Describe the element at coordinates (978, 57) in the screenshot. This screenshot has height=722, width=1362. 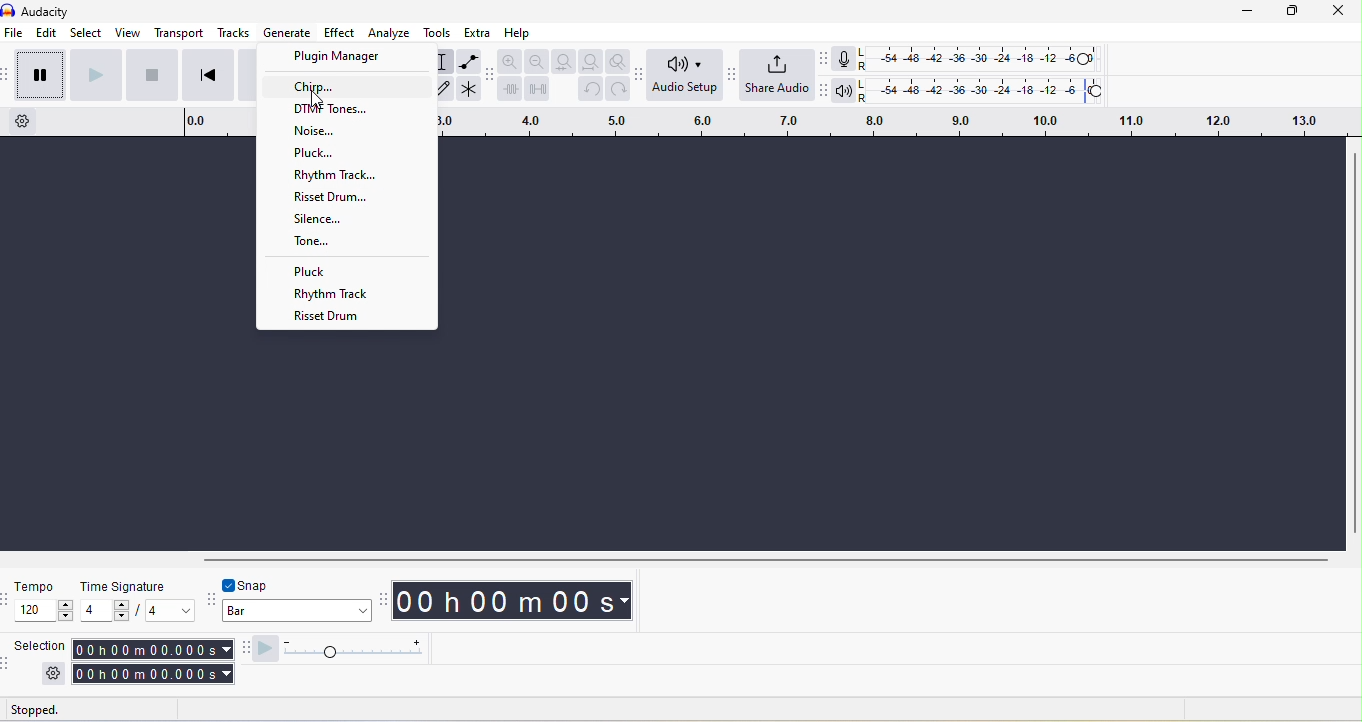
I see `recording level` at that location.